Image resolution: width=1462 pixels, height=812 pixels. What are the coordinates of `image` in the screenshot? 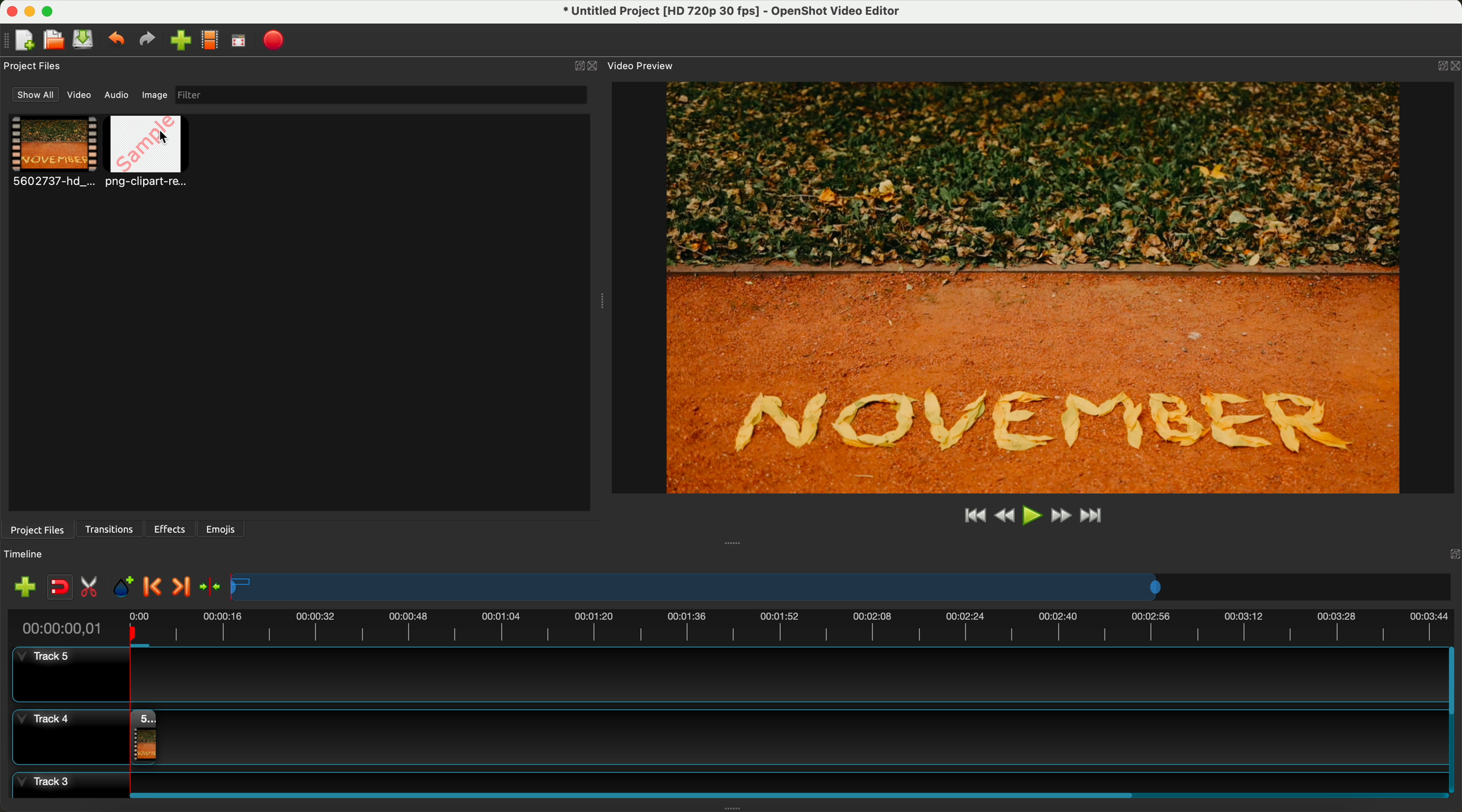 It's located at (153, 96).